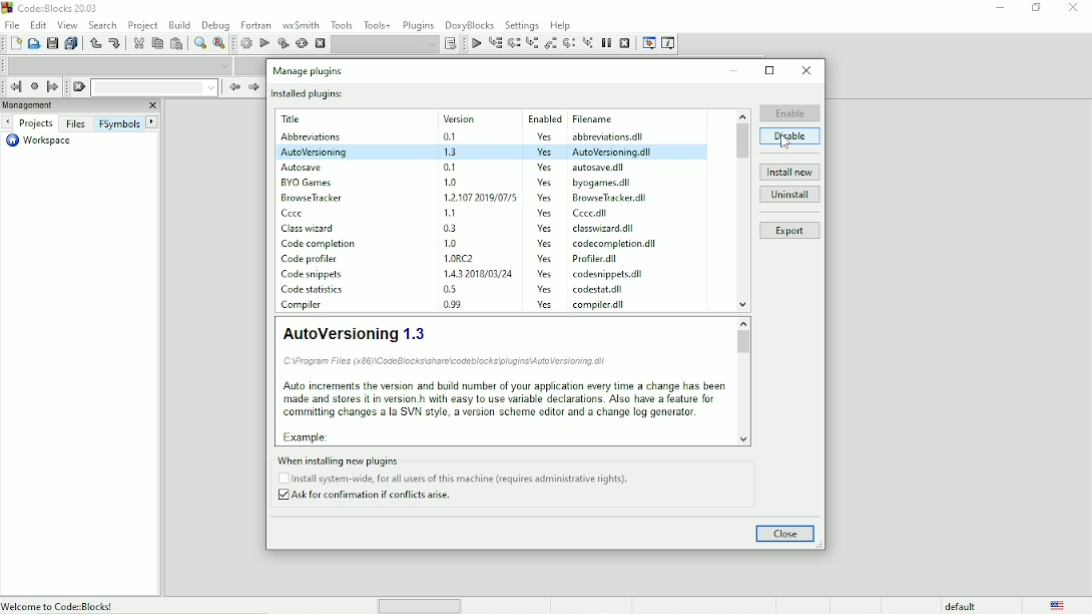 The width and height of the screenshot is (1092, 614). Describe the element at coordinates (1074, 8) in the screenshot. I see `Close` at that location.